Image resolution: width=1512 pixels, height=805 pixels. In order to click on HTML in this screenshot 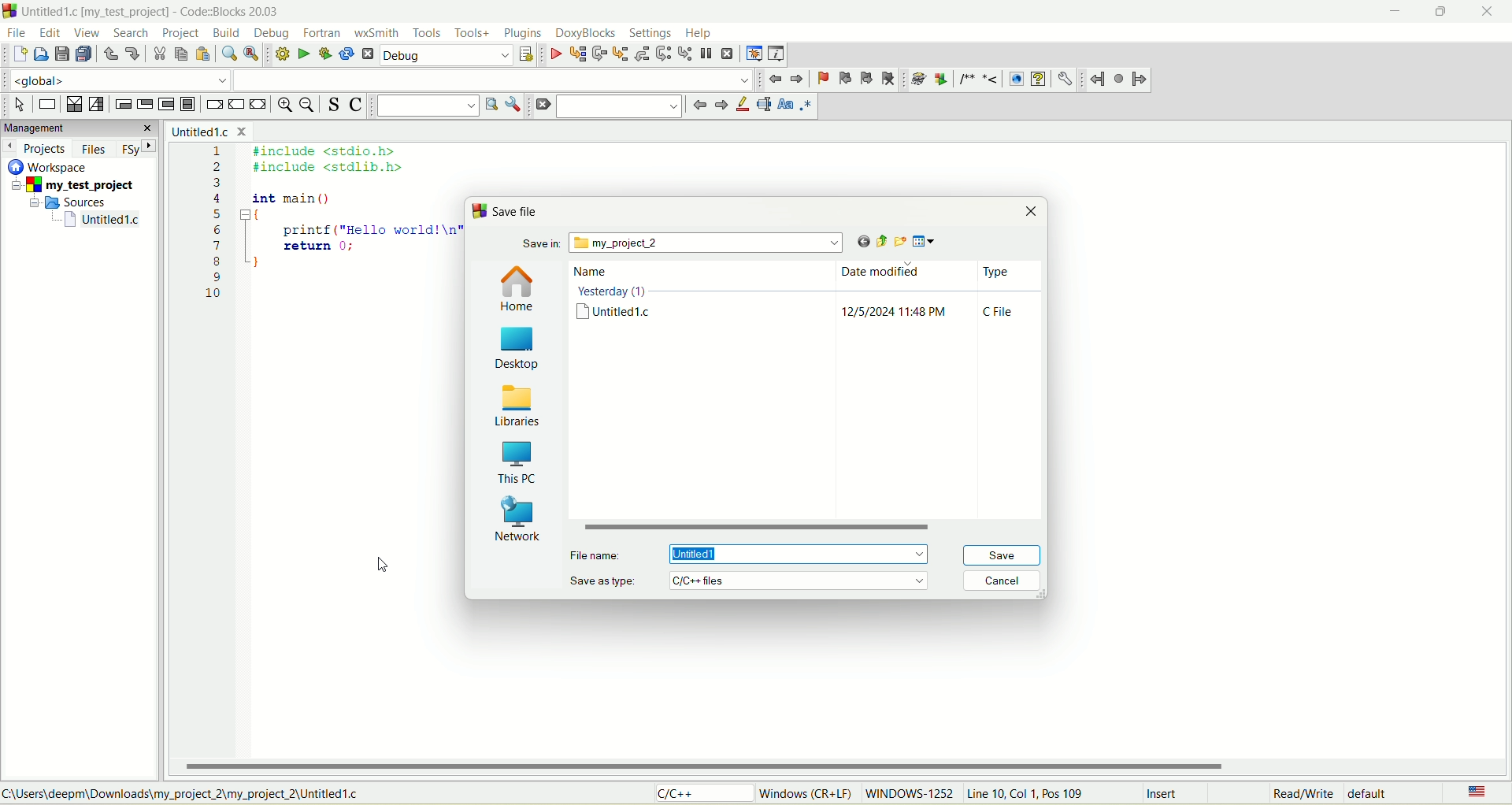, I will do `click(1015, 80)`.